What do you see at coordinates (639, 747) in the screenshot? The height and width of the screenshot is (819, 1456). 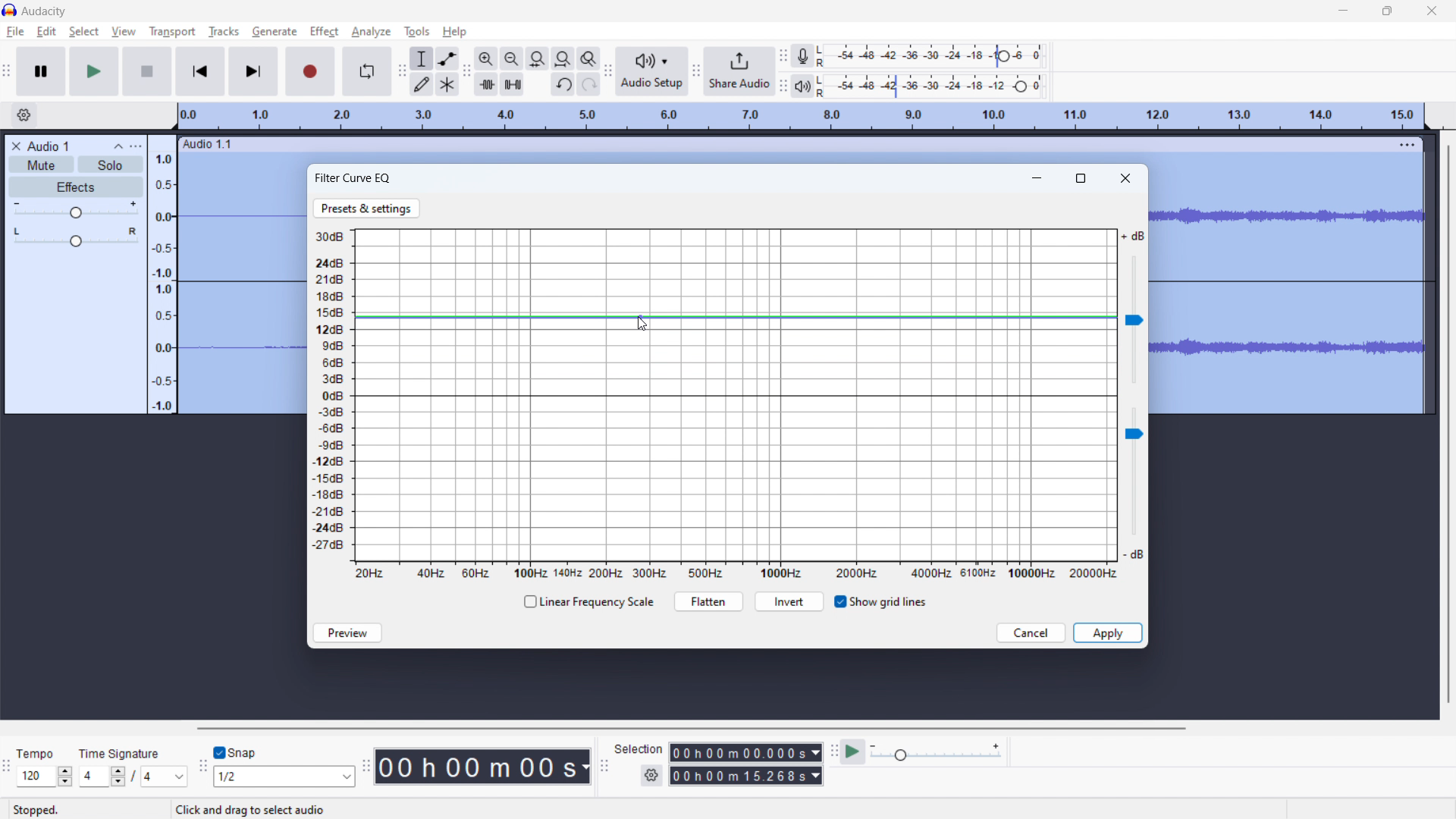 I see `Selection` at bounding box center [639, 747].